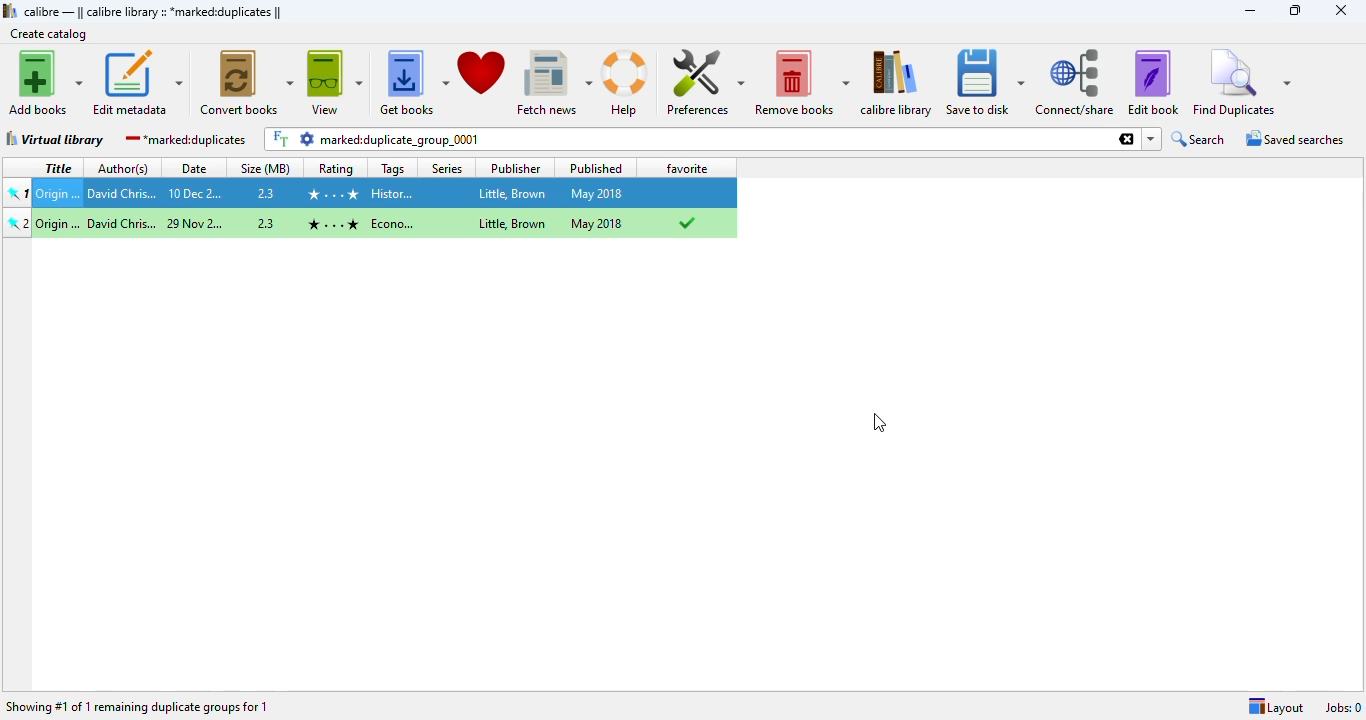 This screenshot has width=1366, height=720. I want to click on title, so click(57, 167).